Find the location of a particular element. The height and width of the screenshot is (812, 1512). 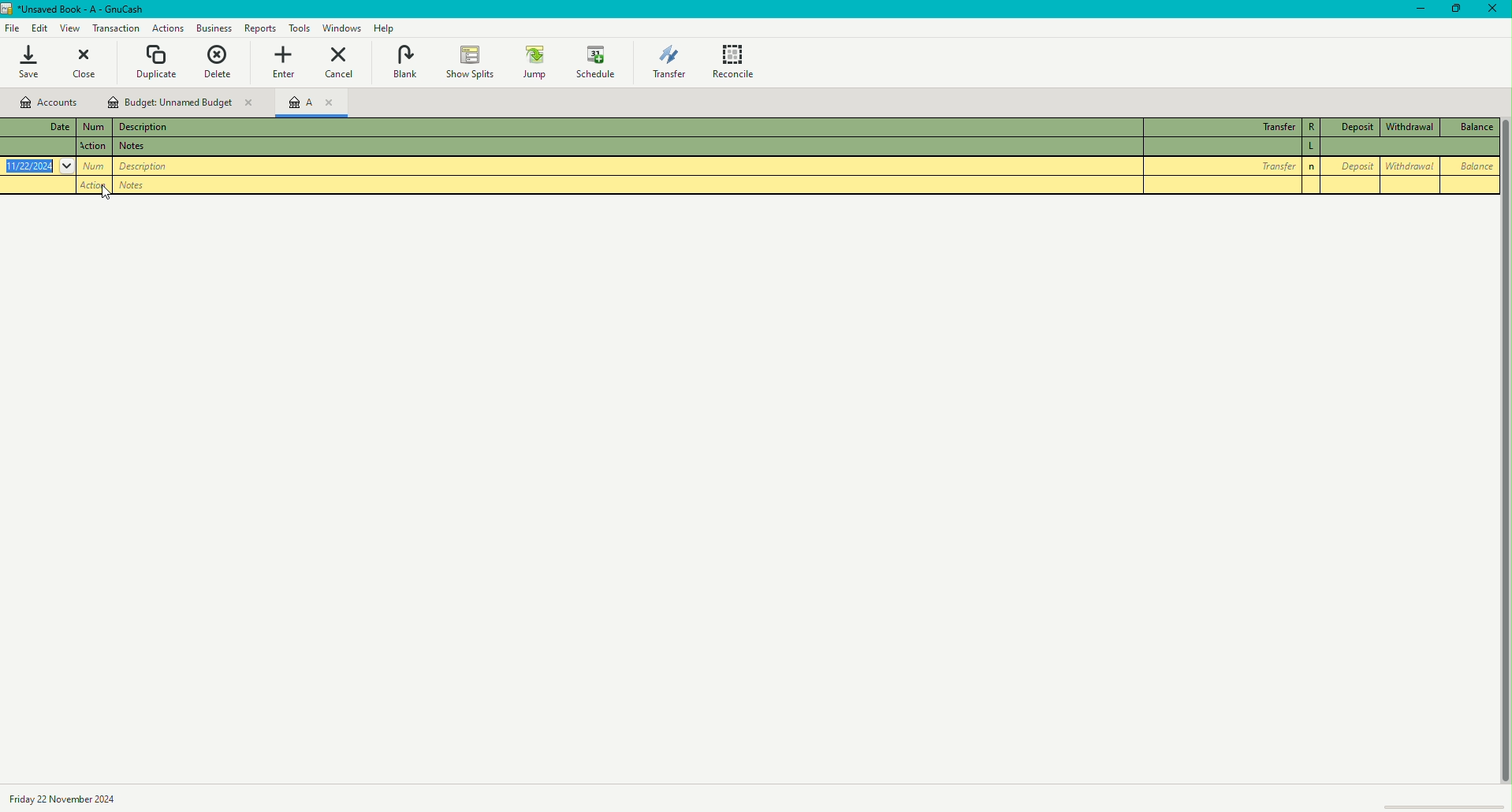

R is located at coordinates (1312, 129).